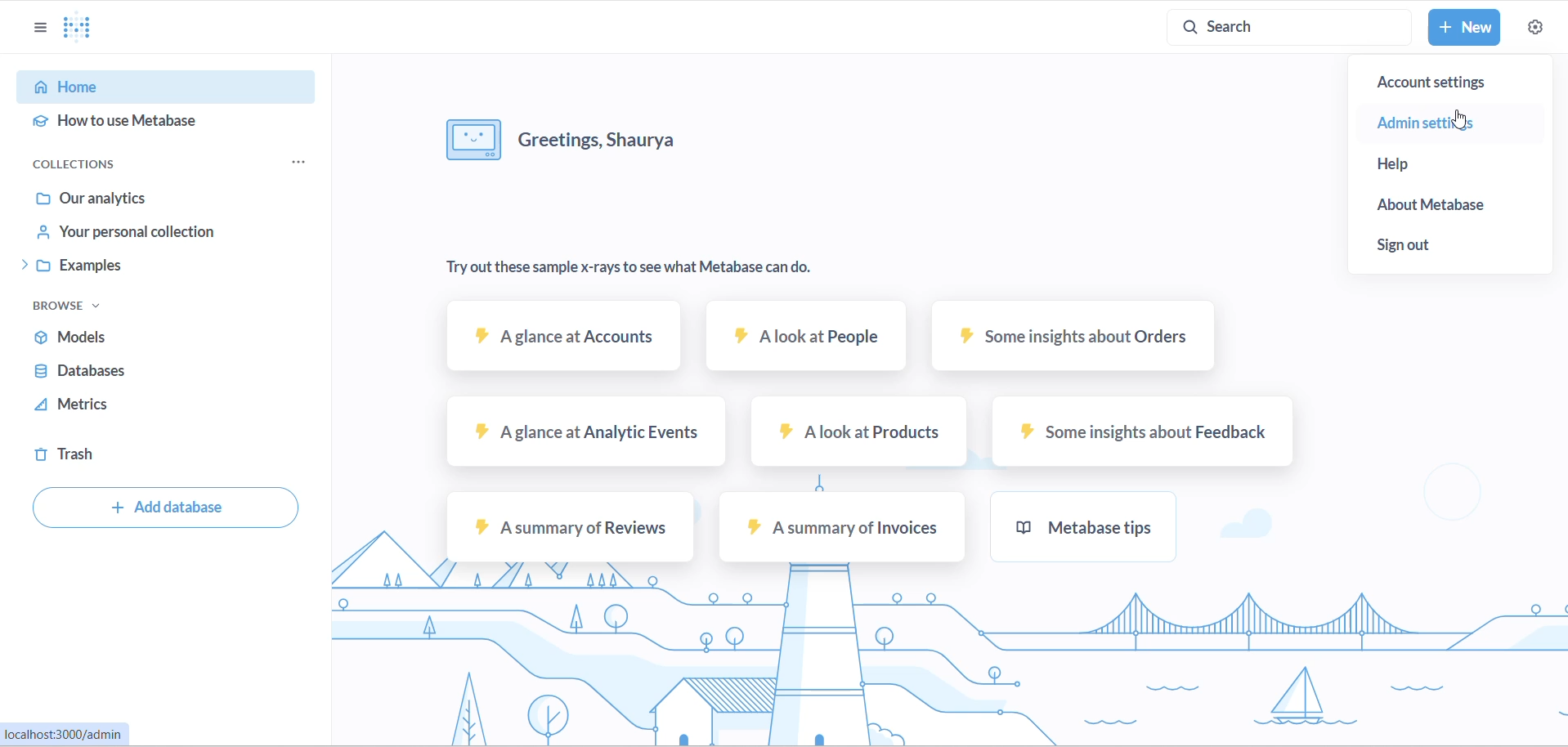 The height and width of the screenshot is (747, 1568). Describe the element at coordinates (166, 510) in the screenshot. I see `add database` at that location.